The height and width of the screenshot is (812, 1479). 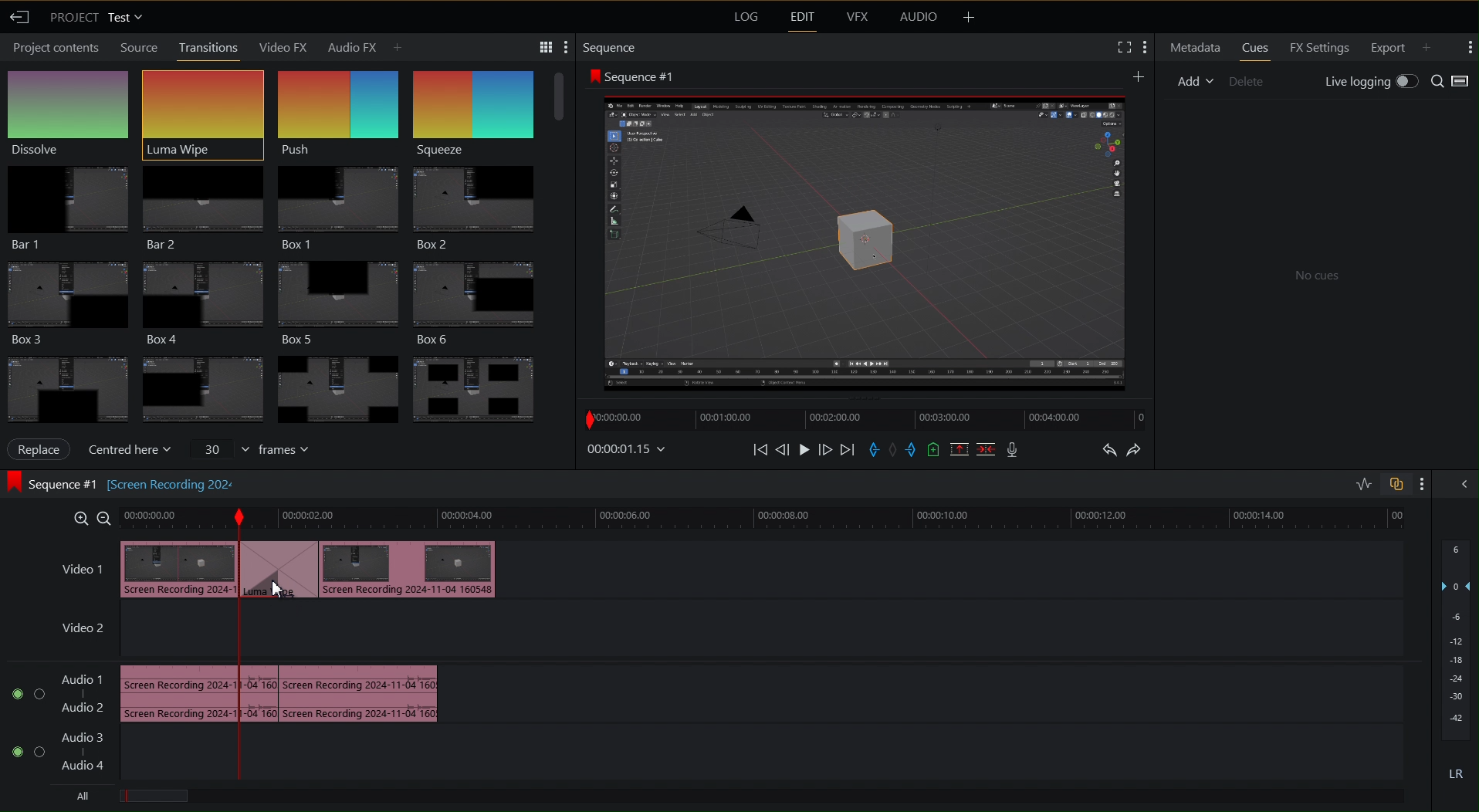 I want to click on Collapse, so click(x=1464, y=486).